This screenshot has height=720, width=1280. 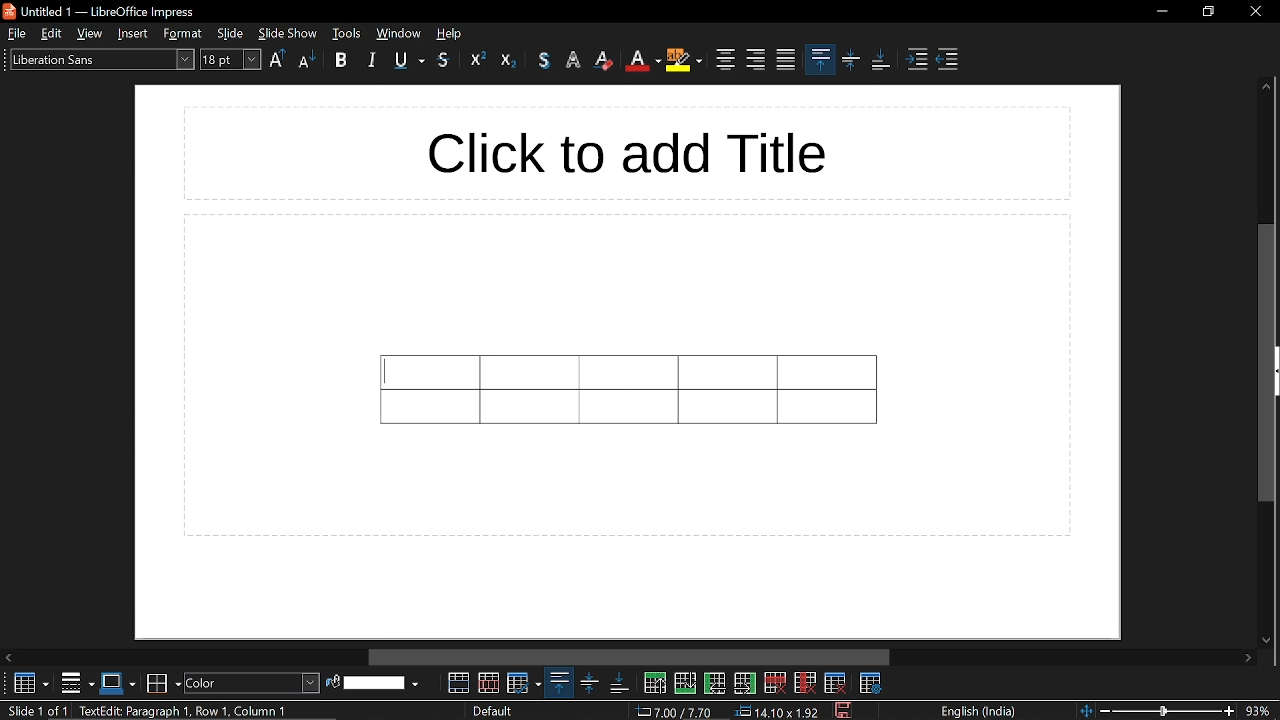 I want to click on strikethrough, so click(x=445, y=63).